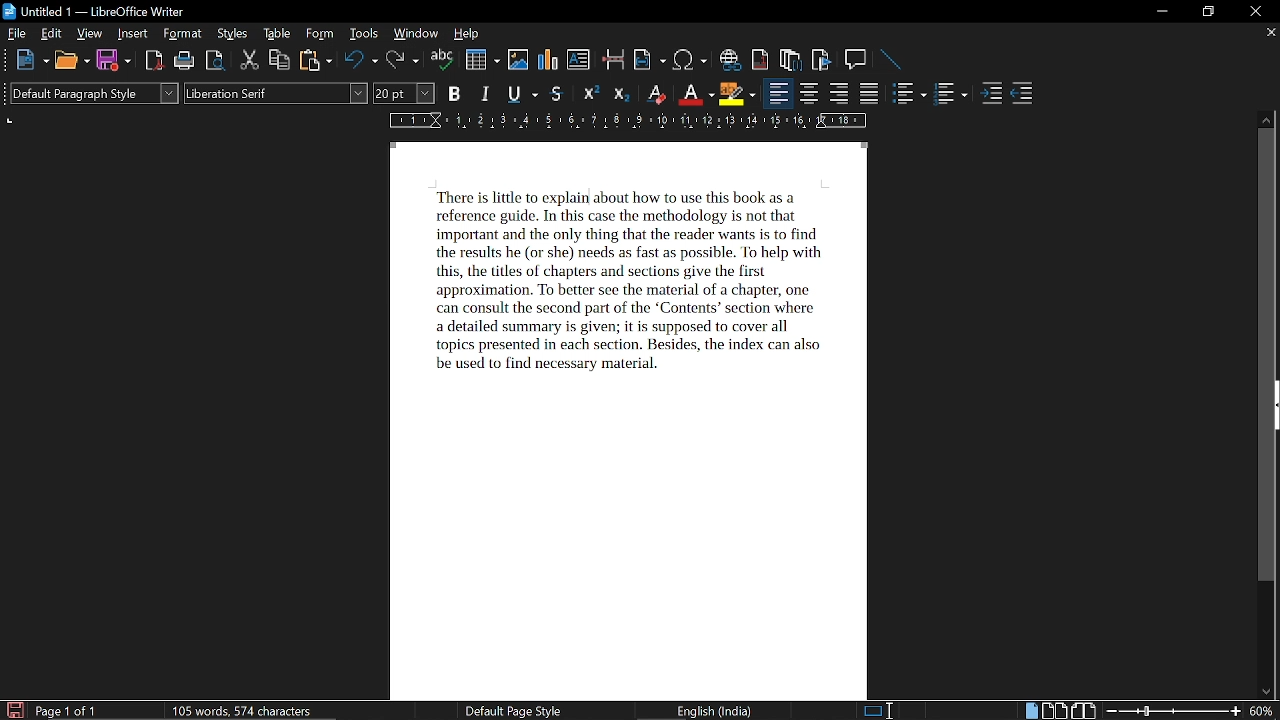 Image resolution: width=1280 pixels, height=720 pixels. Describe the element at coordinates (32, 61) in the screenshot. I see `new` at that location.